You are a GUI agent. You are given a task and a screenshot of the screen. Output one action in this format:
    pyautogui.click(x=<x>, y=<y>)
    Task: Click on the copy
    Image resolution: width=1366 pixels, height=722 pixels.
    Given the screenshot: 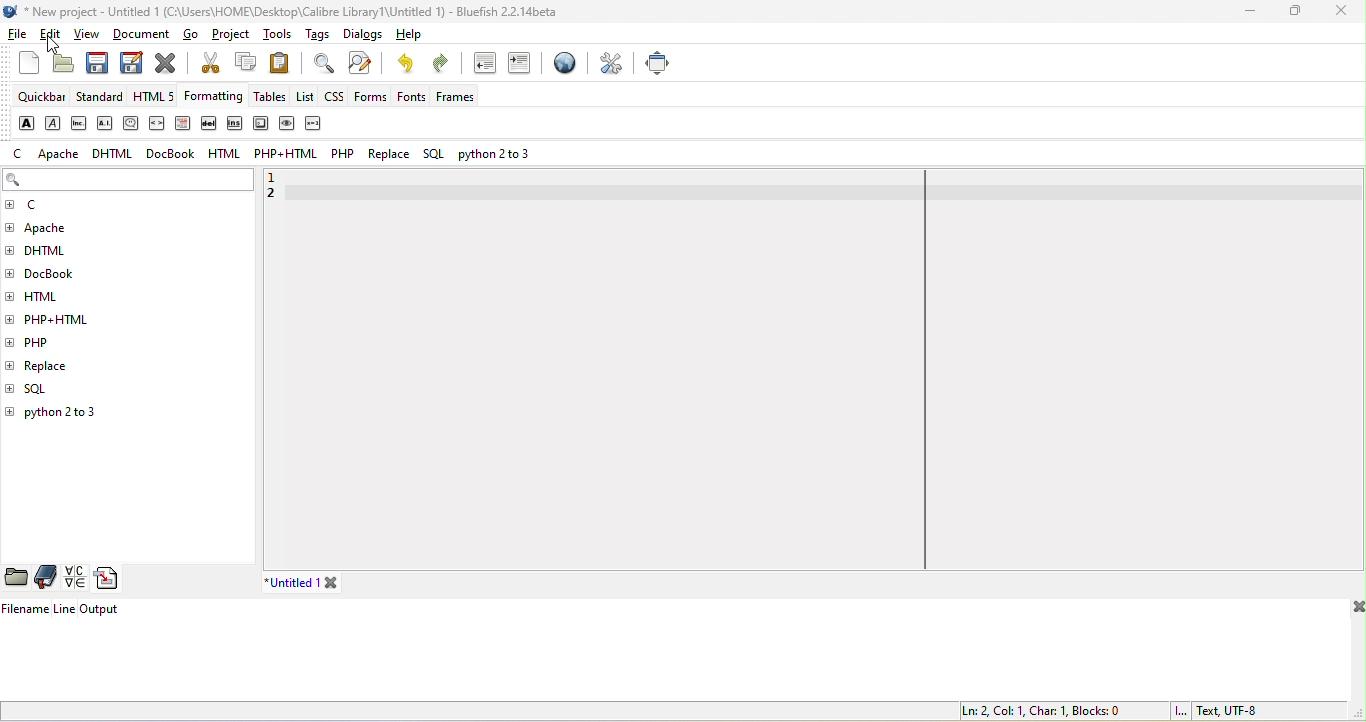 What is the action you would take?
    pyautogui.click(x=245, y=64)
    